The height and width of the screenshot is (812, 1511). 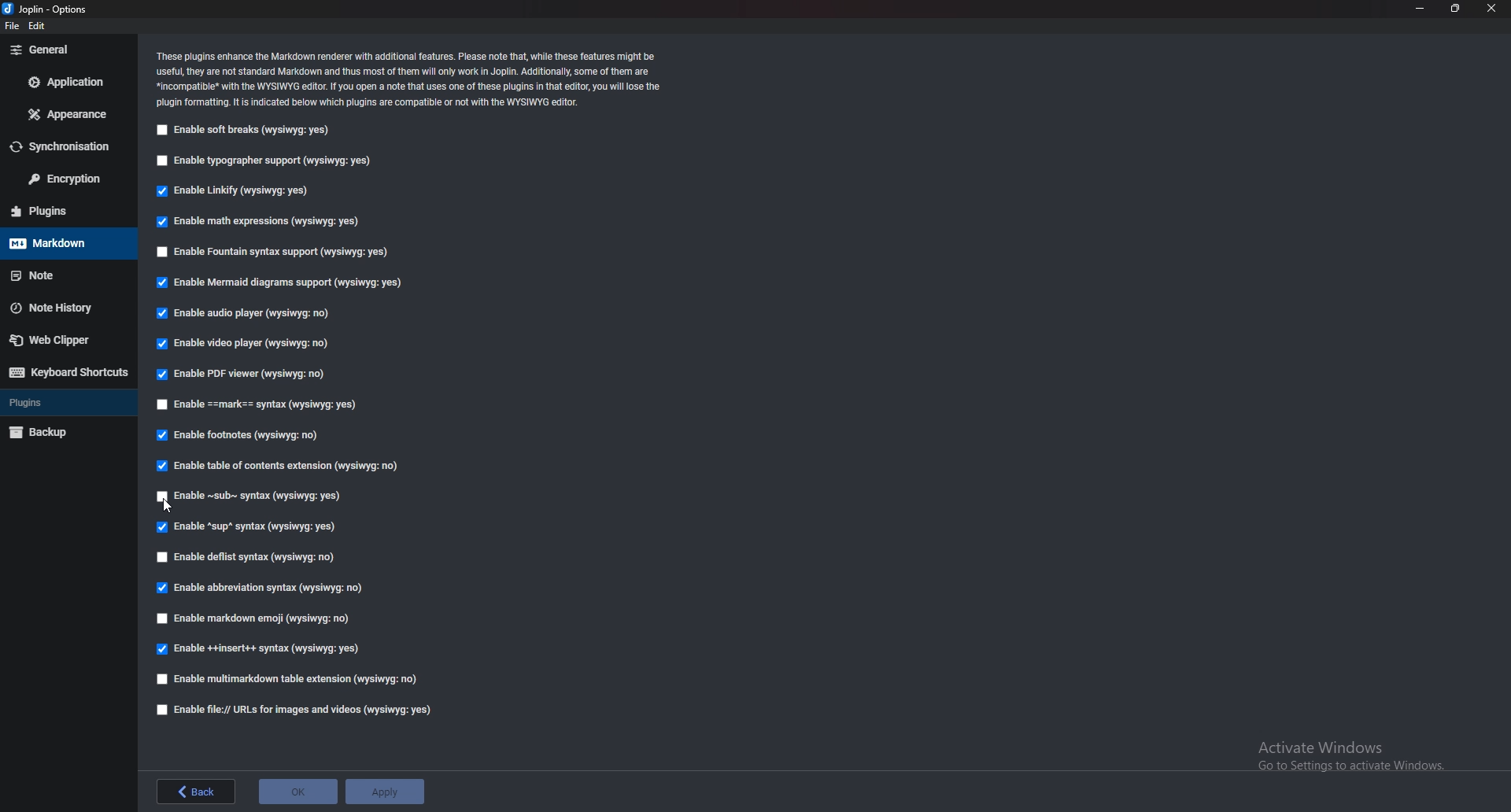 What do you see at coordinates (67, 341) in the screenshot?
I see `Web Clipper` at bounding box center [67, 341].